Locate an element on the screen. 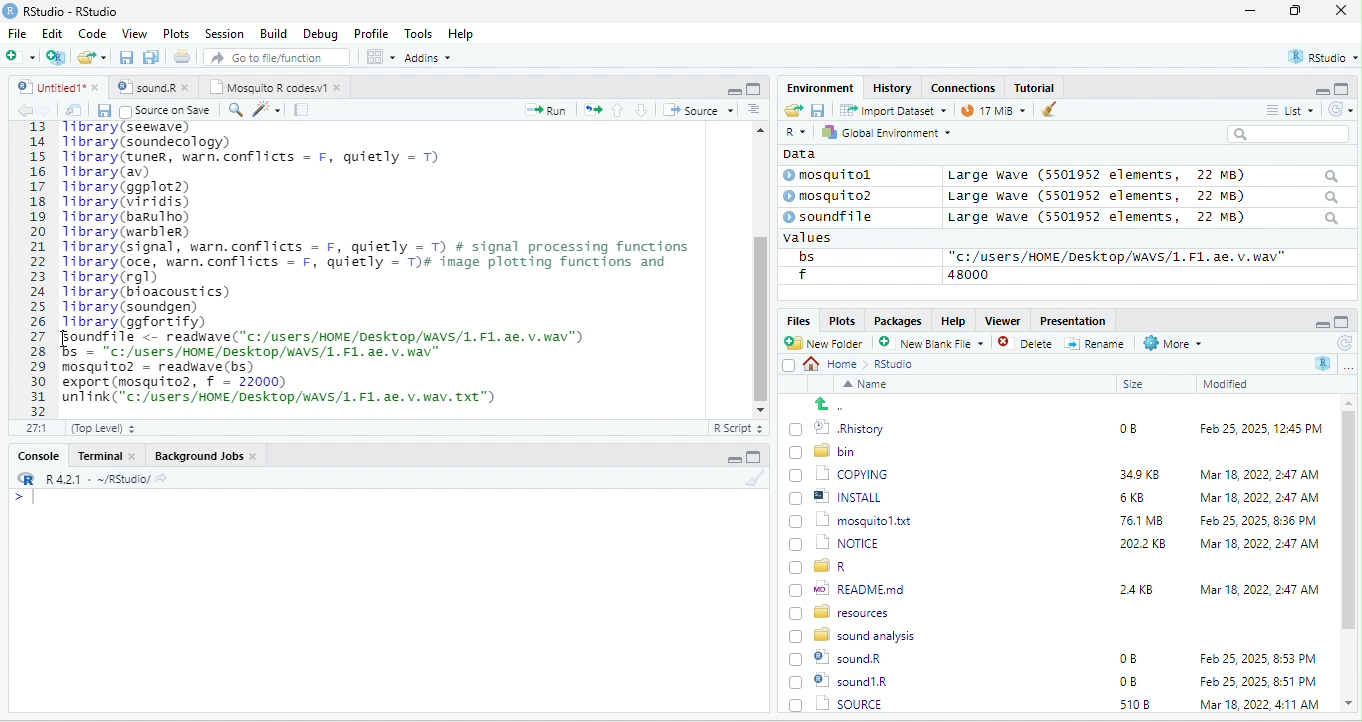  Console is located at coordinates (37, 454).